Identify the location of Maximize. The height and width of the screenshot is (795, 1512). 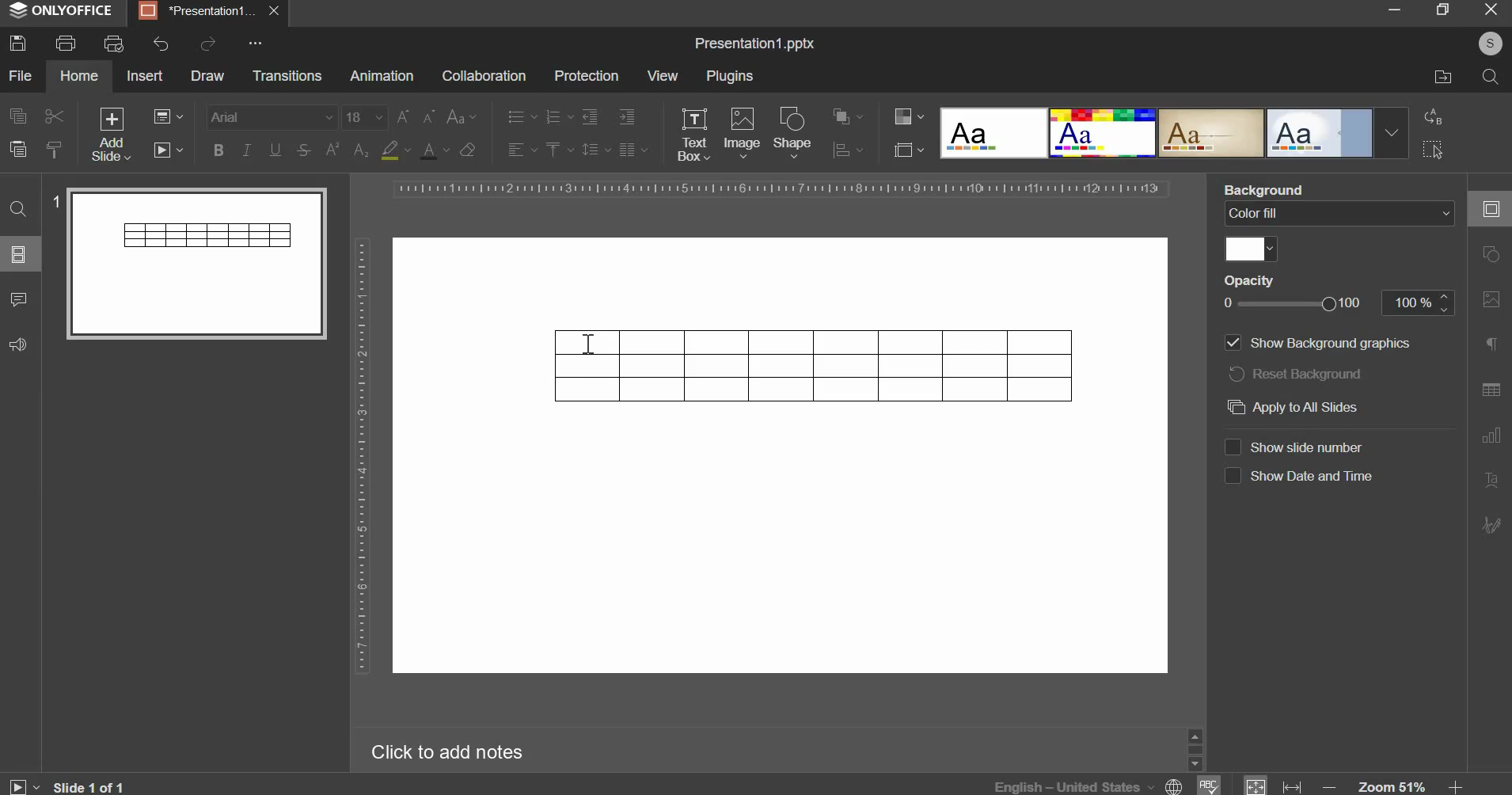
(1442, 10).